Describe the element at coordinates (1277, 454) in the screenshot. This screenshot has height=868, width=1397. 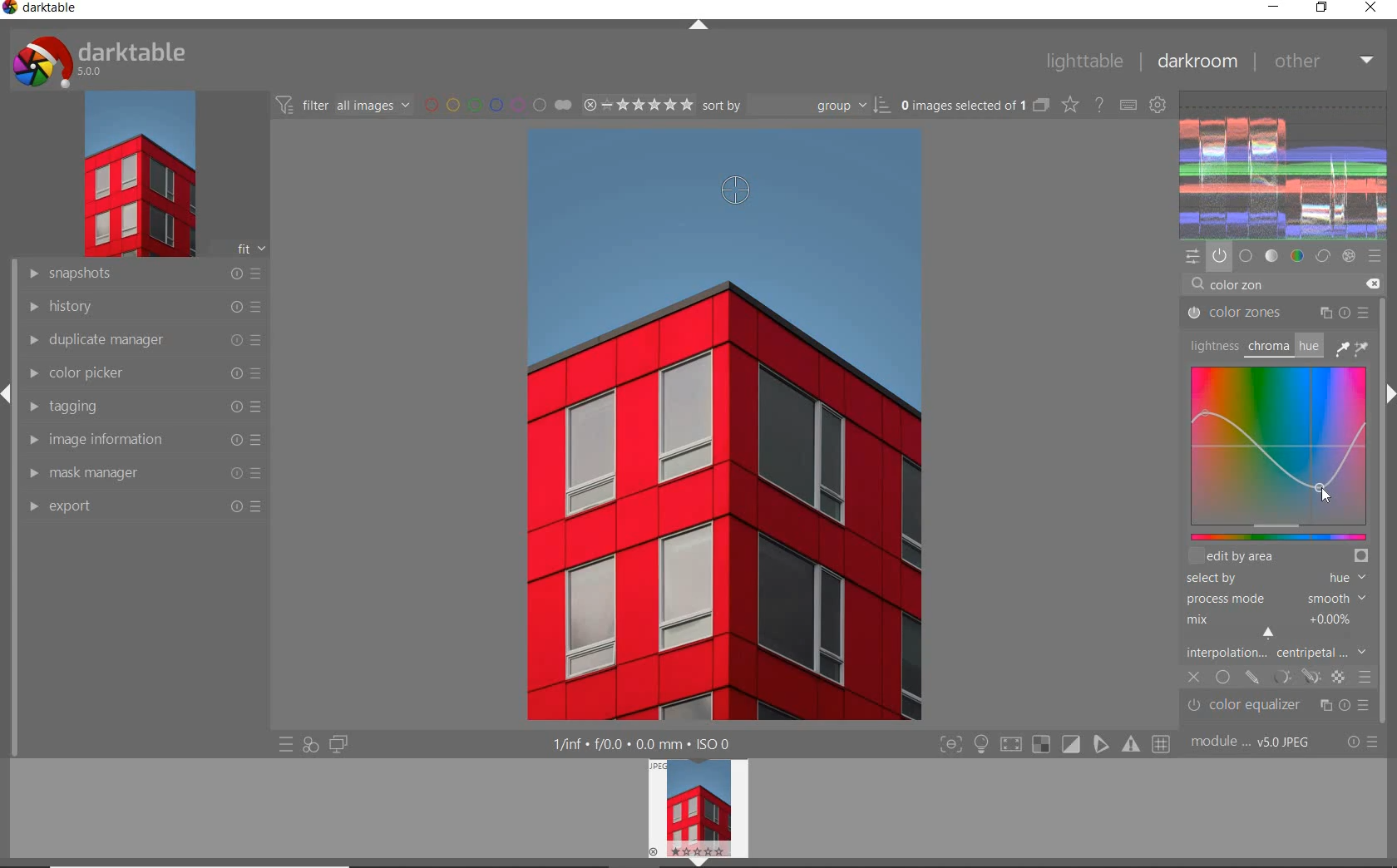
I see `MAP` at that location.